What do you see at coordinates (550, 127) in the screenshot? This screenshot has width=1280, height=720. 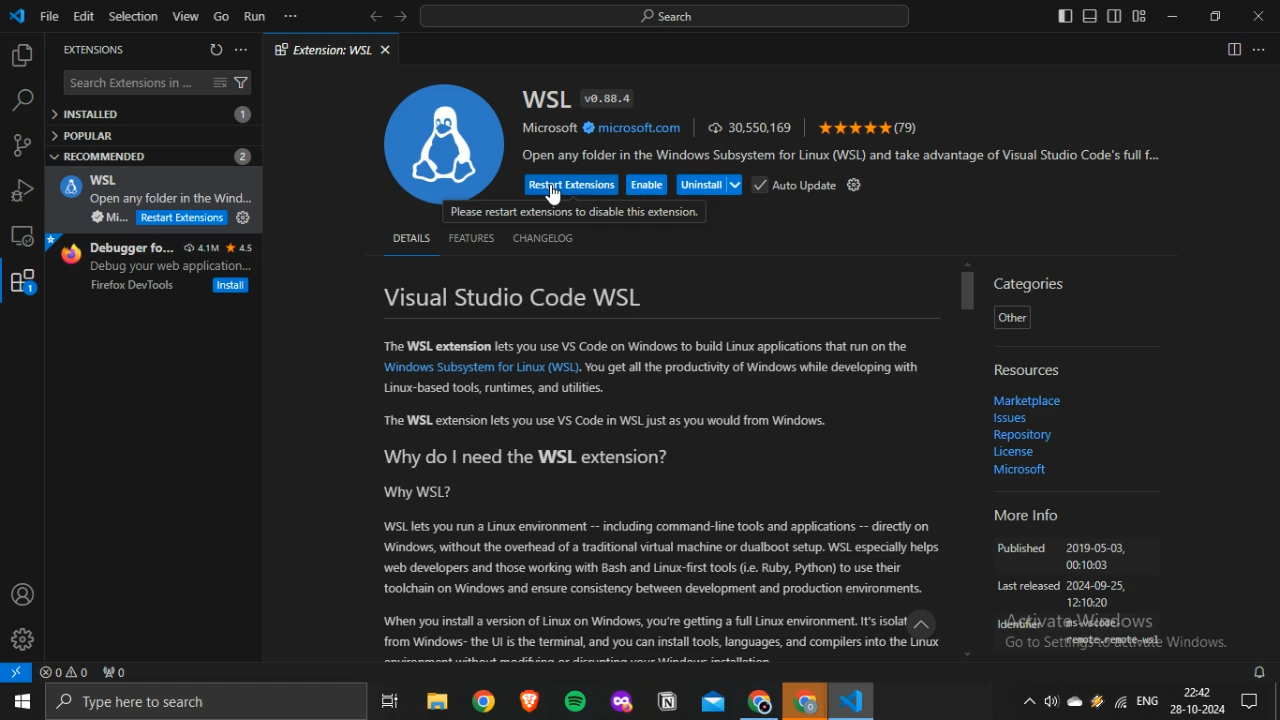 I see `Microsoft` at bounding box center [550, 127].